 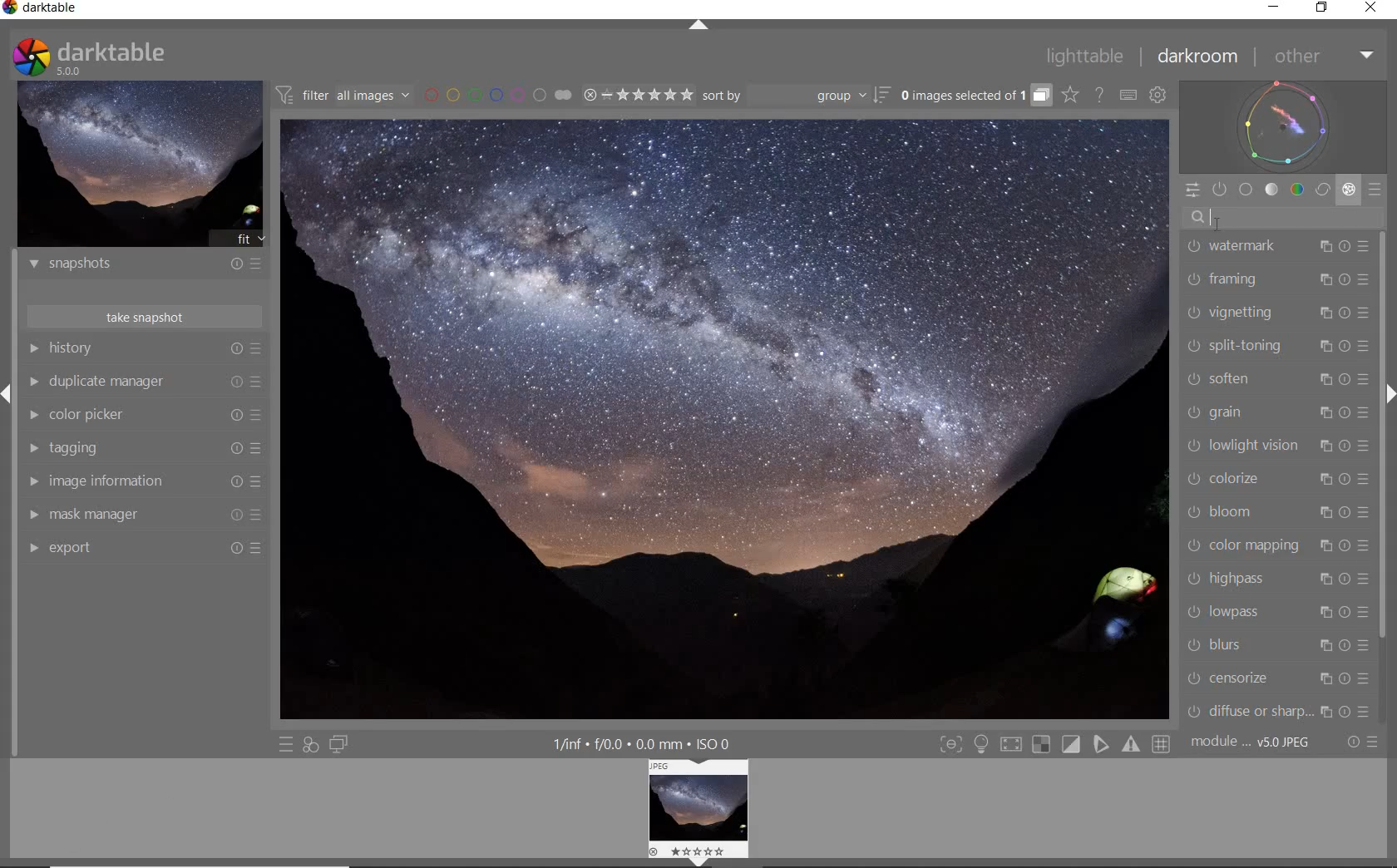 What do you see at coordinates (726, 418) in the screenshot?
I see `SELECTED IMAGE` at bounding box center [726, 418].